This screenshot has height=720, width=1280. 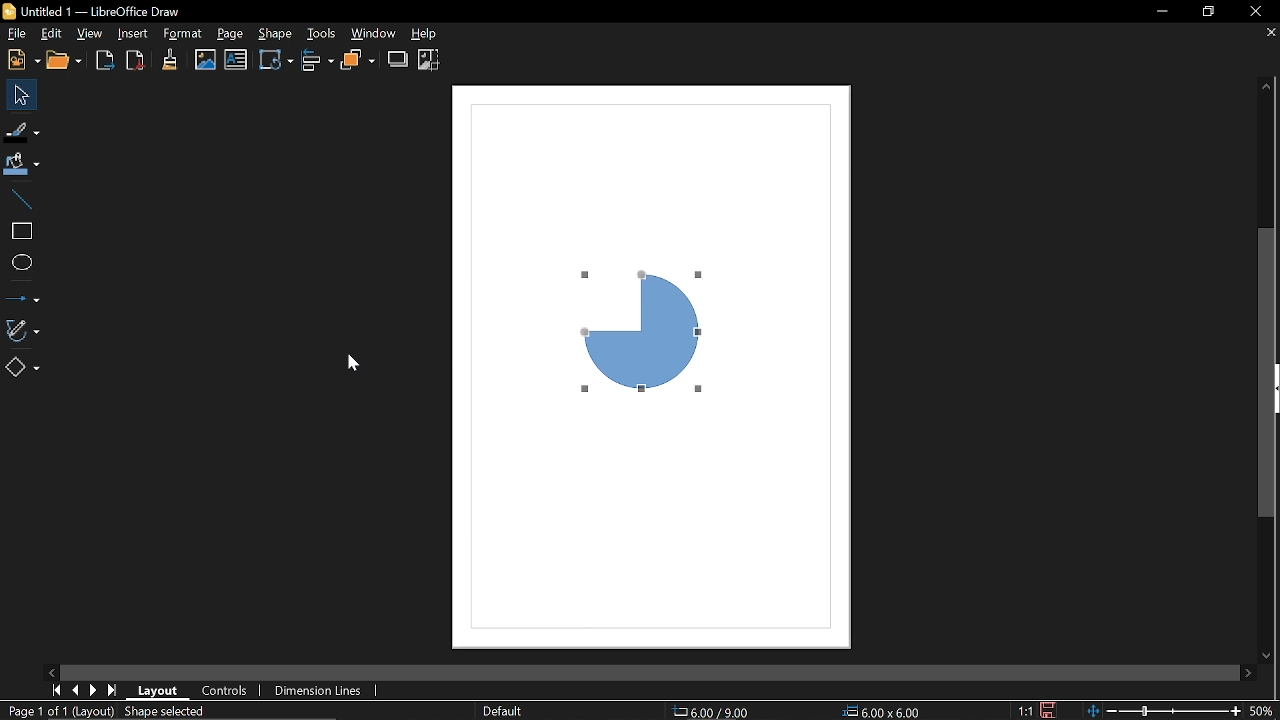 What do you see at coordinates (1026, 711) in the screenshot?
I see `Scaling factor` at bounding box center [1026, 711].